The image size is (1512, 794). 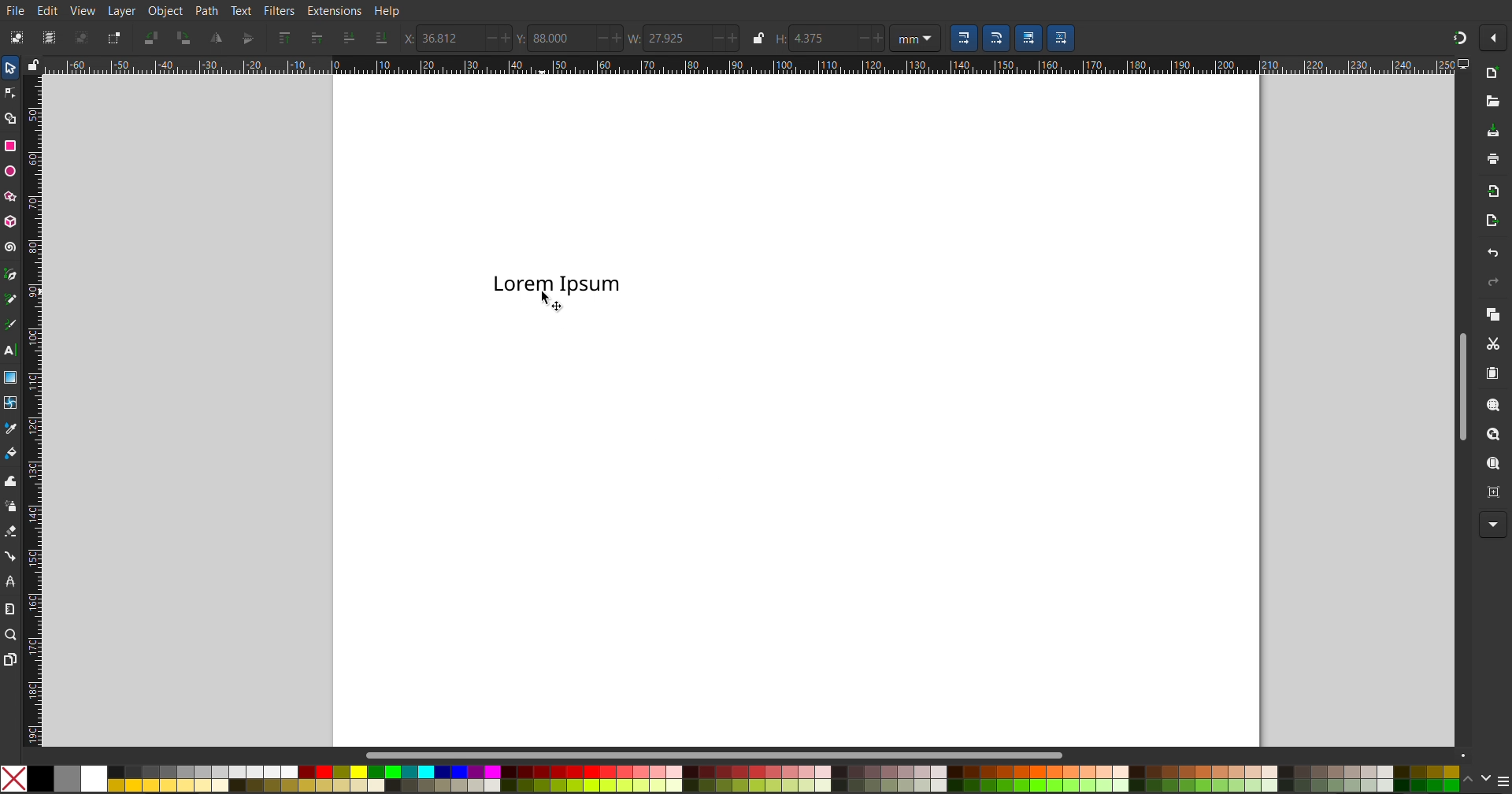 I want to click on Node Tools, so click(x=10, y=92).